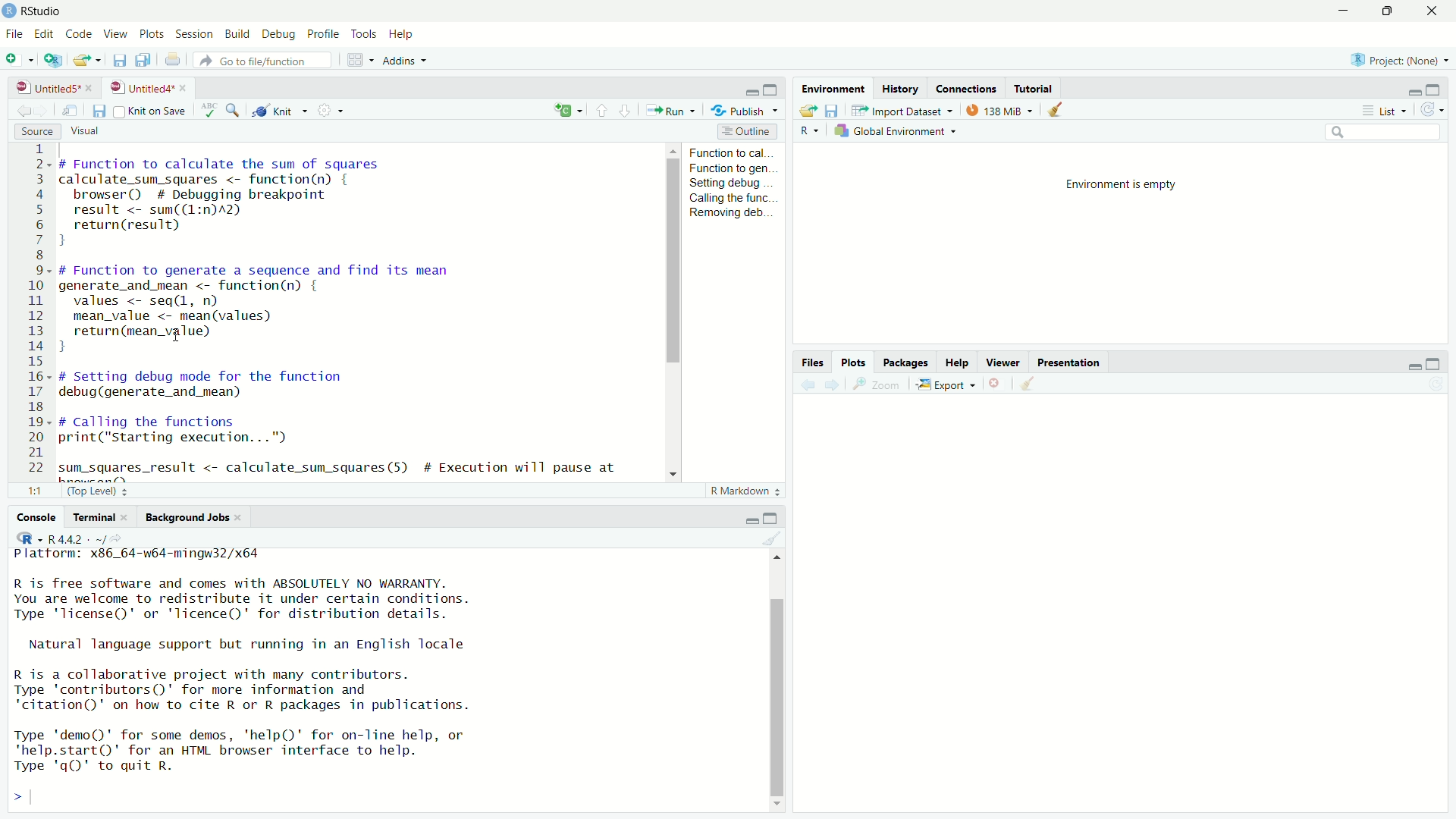  What do you see at coordinates (13, 35) in the screenshot?
I see `File` at bounding box center [13, 35].